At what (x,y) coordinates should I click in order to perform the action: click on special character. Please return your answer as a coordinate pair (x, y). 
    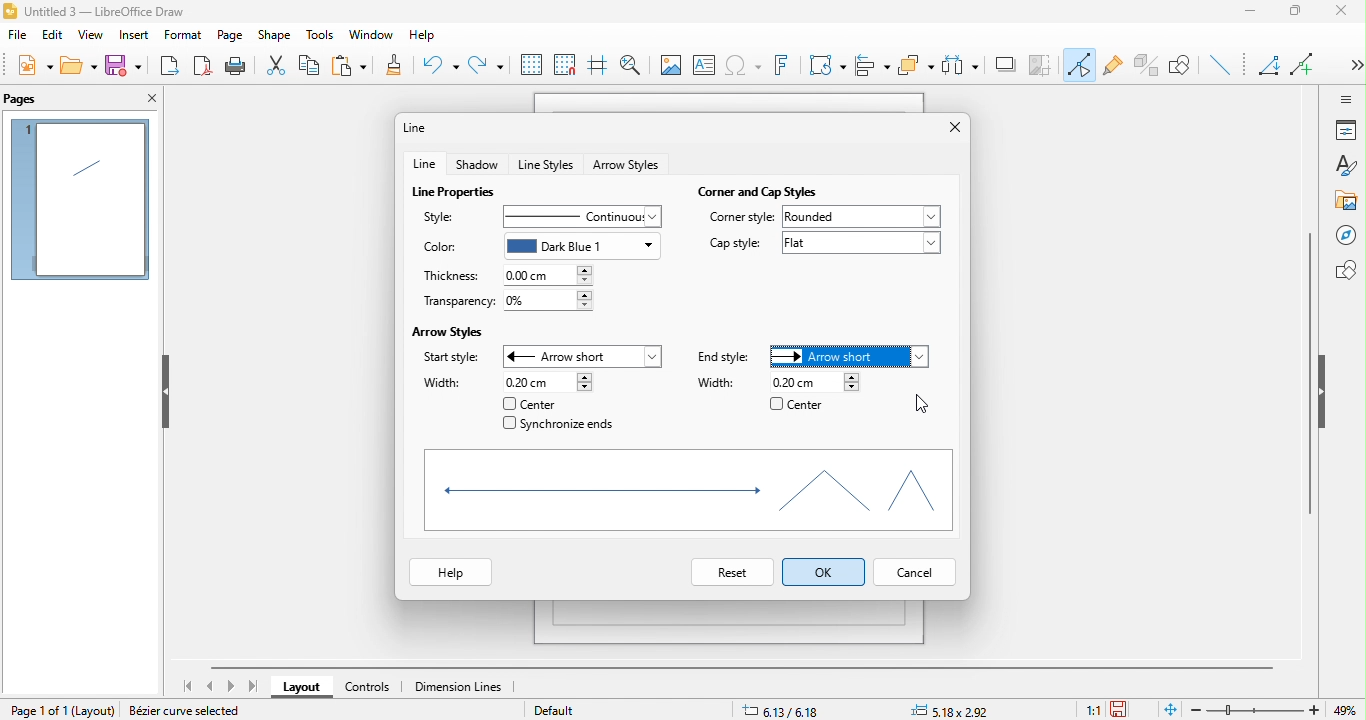
    Looking at the image, I should click on (746, 67).